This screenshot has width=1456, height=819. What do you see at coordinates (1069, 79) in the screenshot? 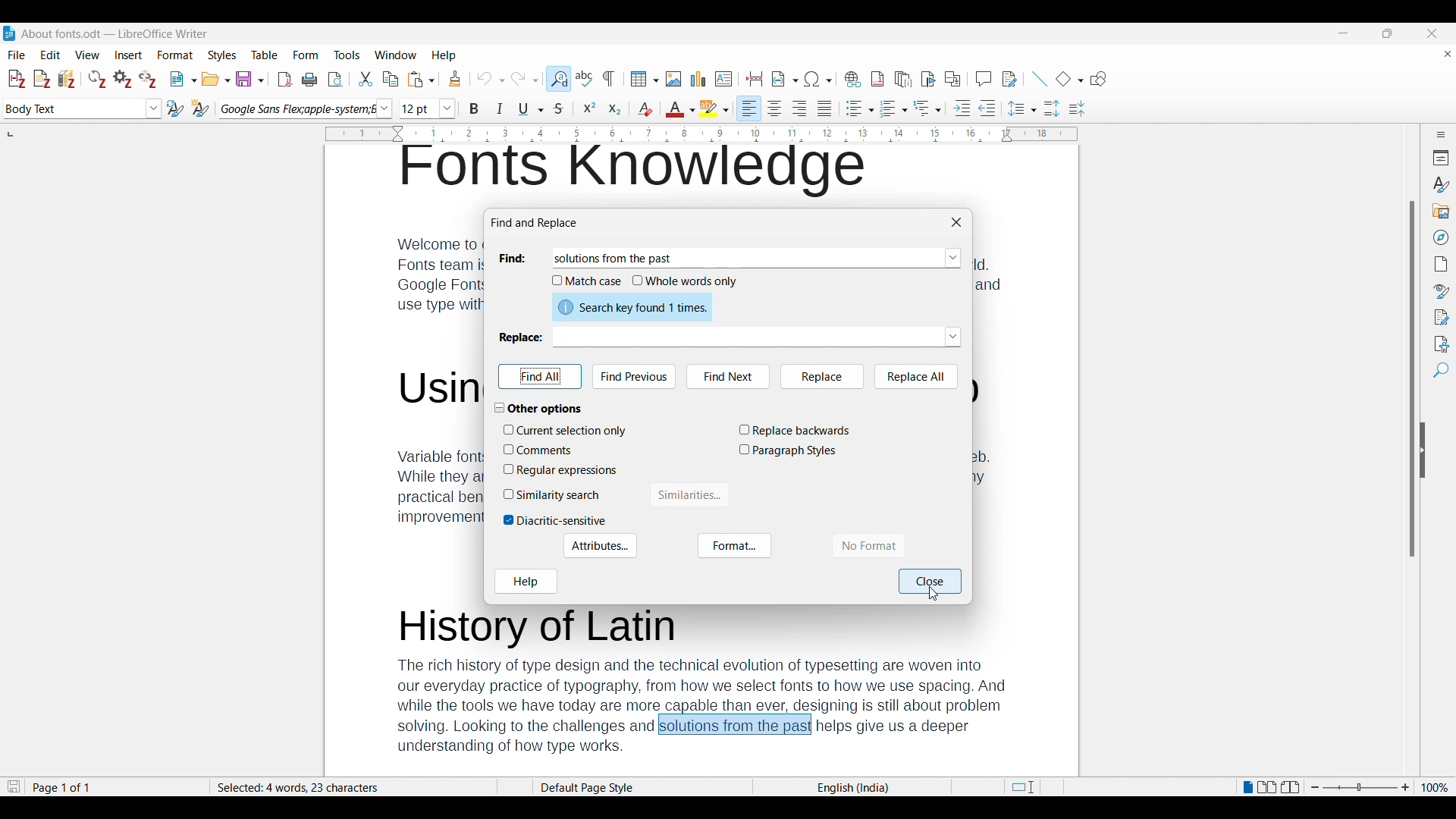
I see `Basic shape options` at bounding box center [1069, 79].